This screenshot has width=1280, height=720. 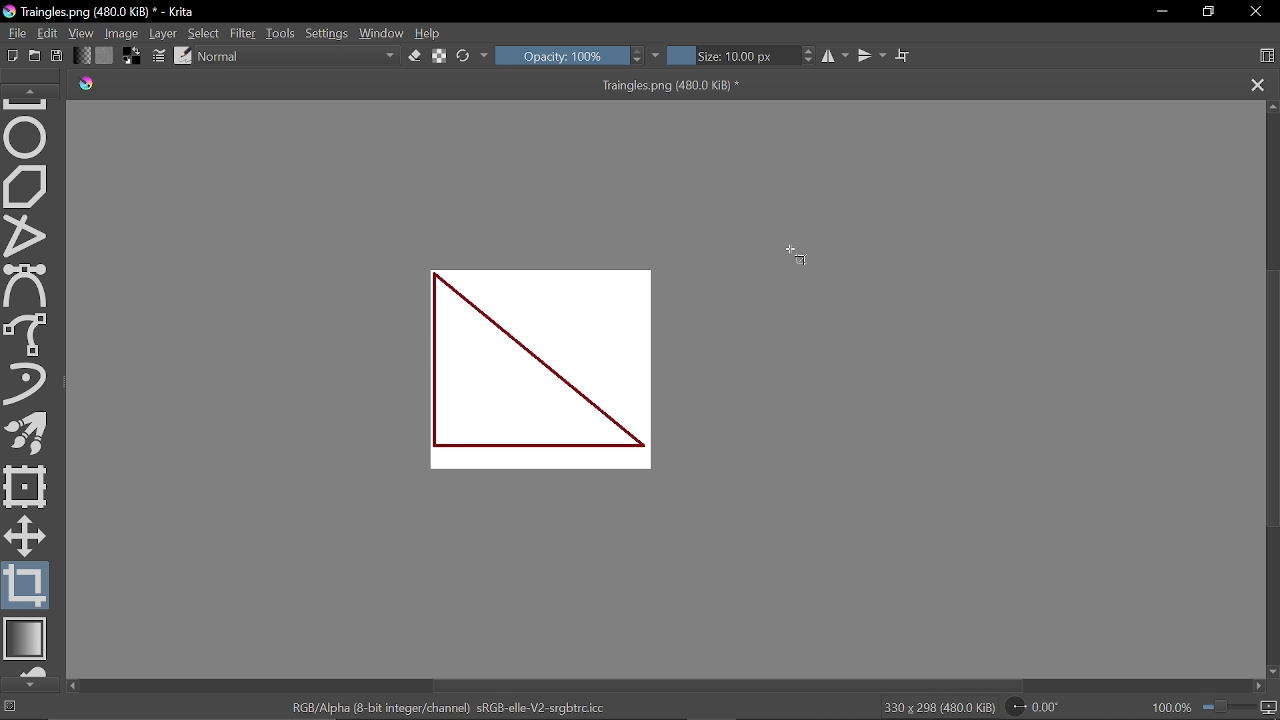 I want to click on Restore down, so click(x=1209, y=12).